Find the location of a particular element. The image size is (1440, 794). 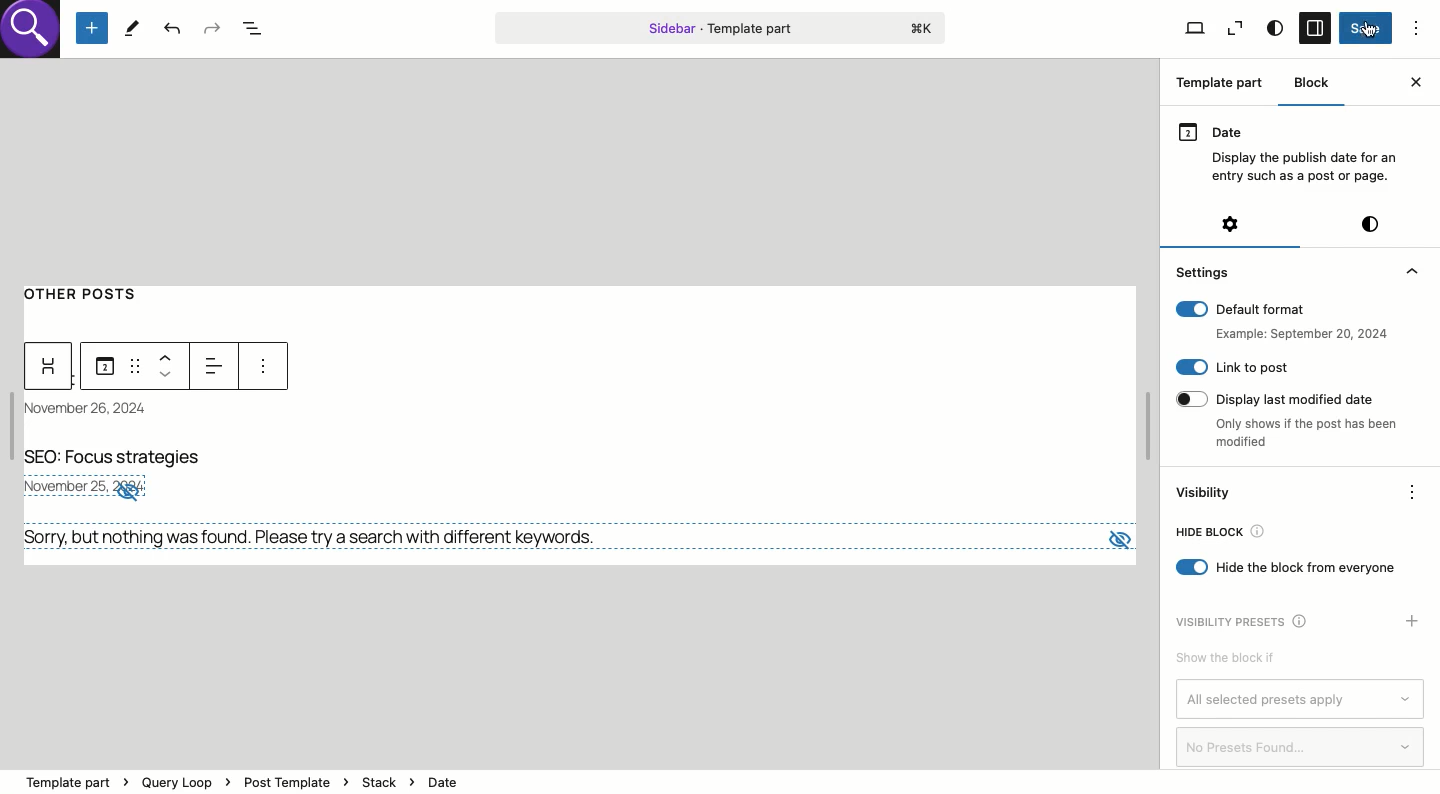

Visibility presets  is located at coordinates (1248, 620).